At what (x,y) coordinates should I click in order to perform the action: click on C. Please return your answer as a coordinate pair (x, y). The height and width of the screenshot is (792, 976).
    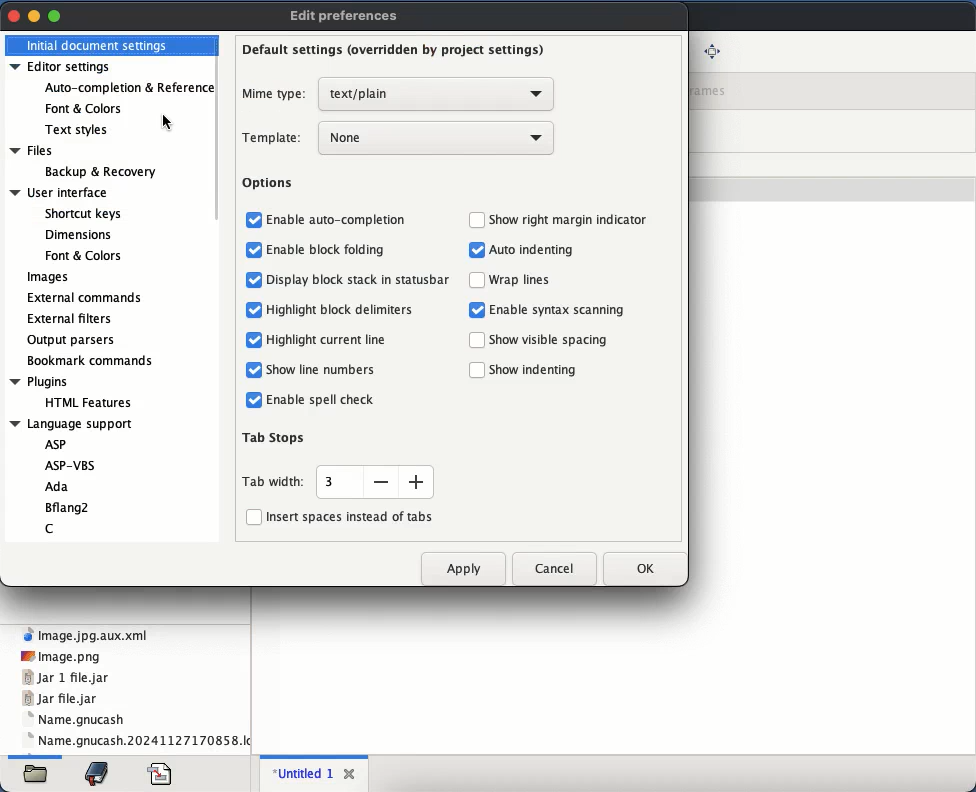
    Looking at the image, I should click on (51, 528).